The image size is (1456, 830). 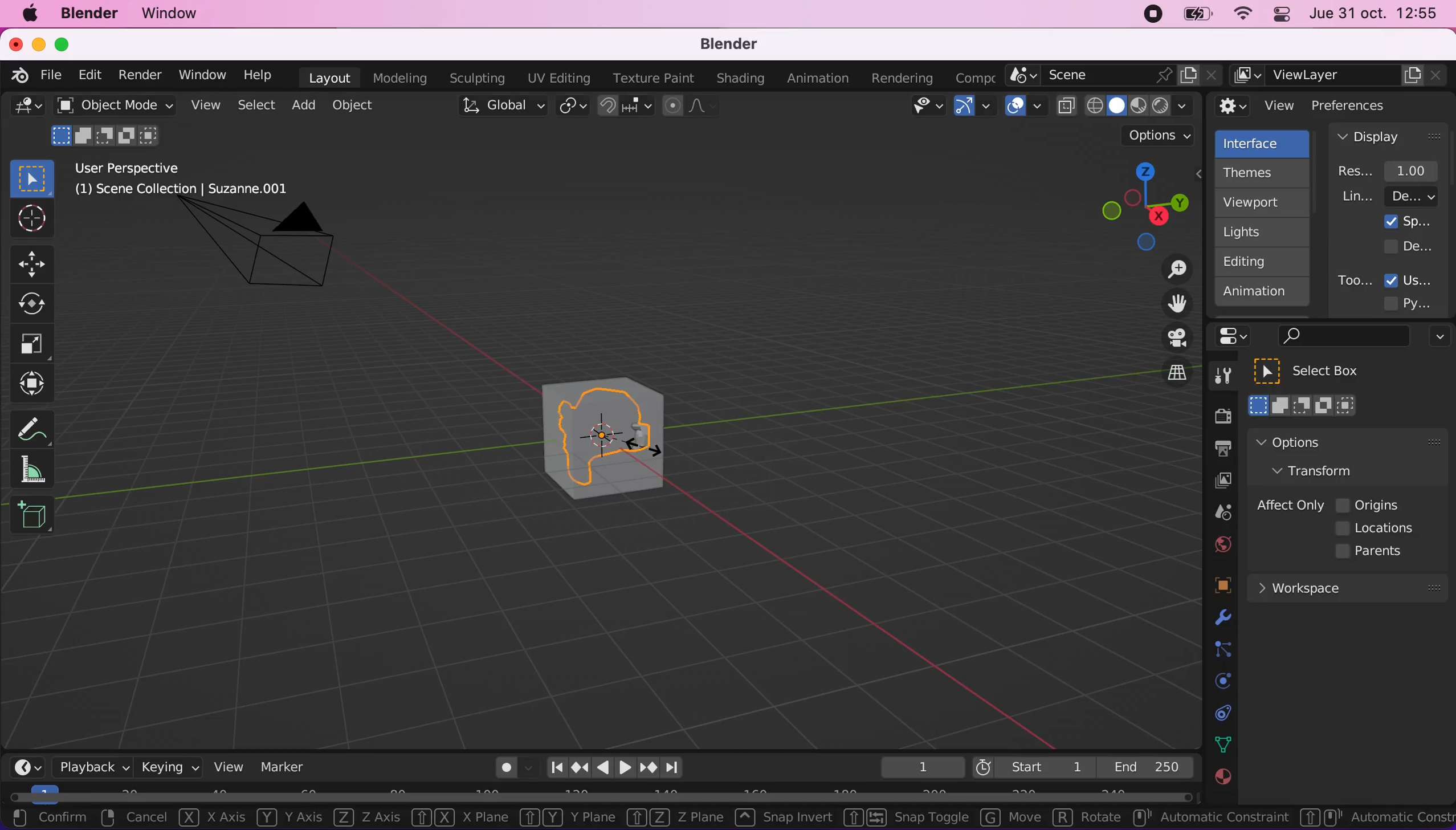 What do you see at coordinates (1171, 269) in the screenshot?
I see `zoom in/out the view` at bounding box center [1171, 269].